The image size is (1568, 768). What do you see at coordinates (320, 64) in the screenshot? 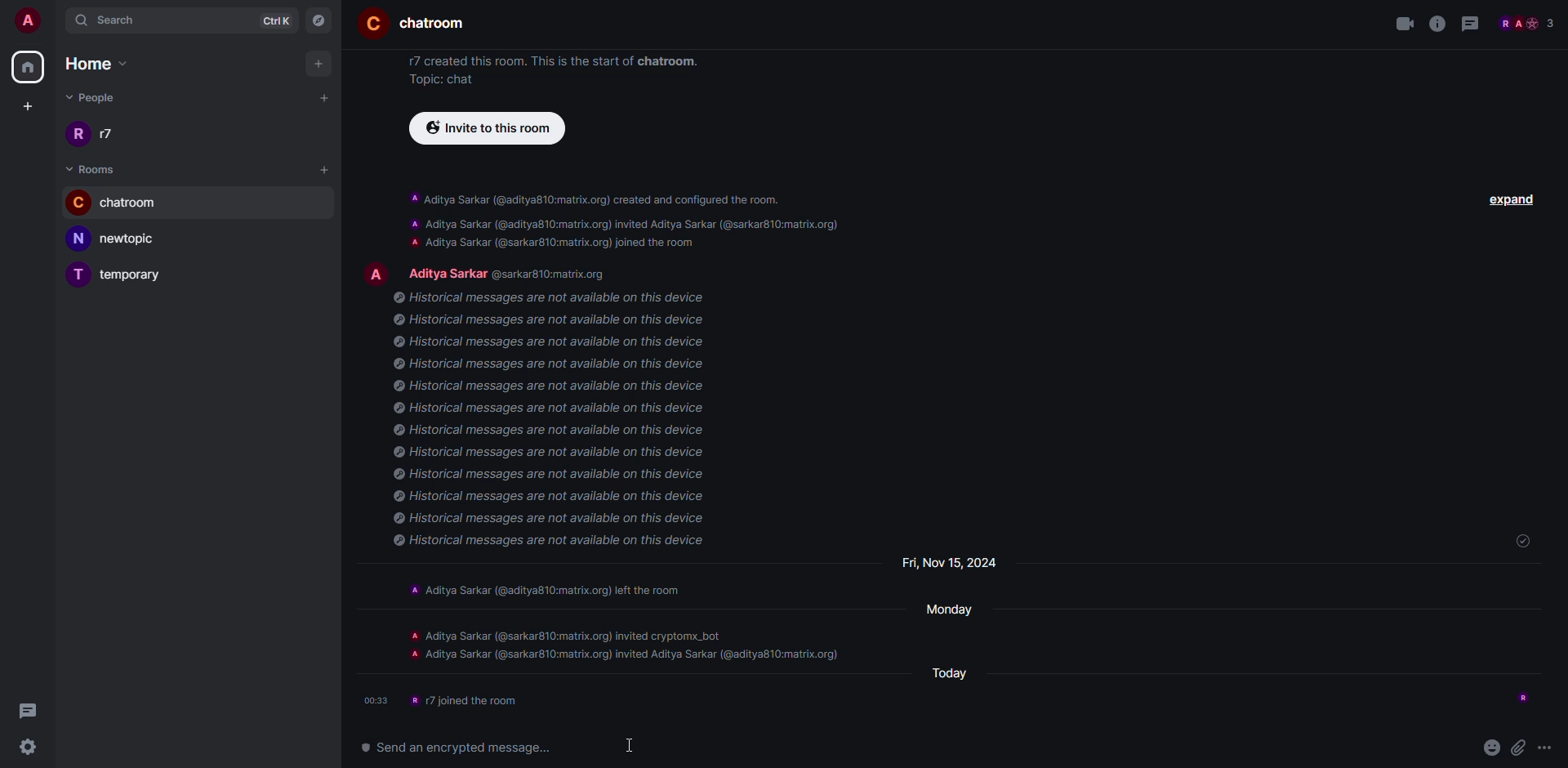
I see `add` at bounding box center [320, 64].